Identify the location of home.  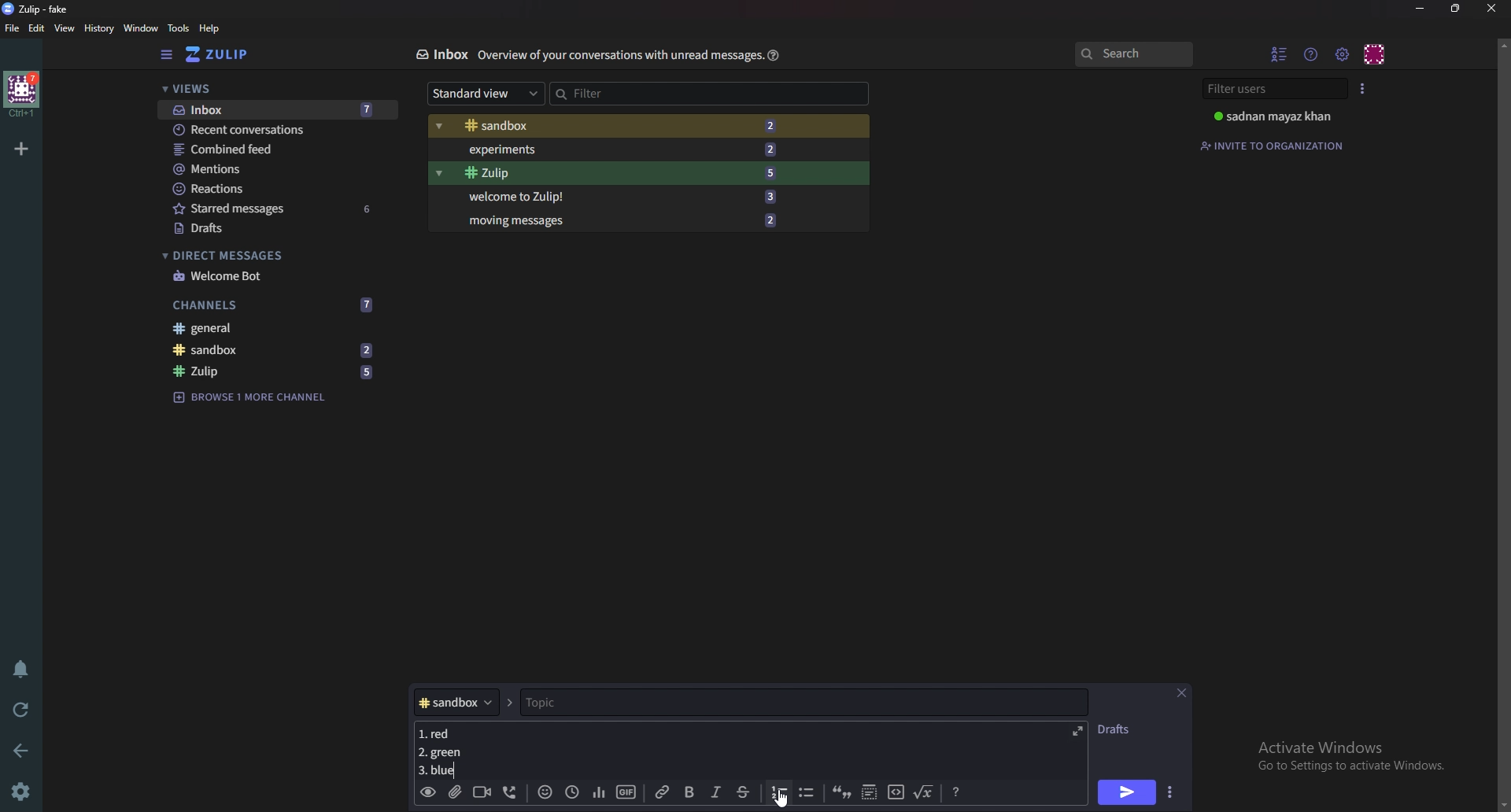
(20, 94).